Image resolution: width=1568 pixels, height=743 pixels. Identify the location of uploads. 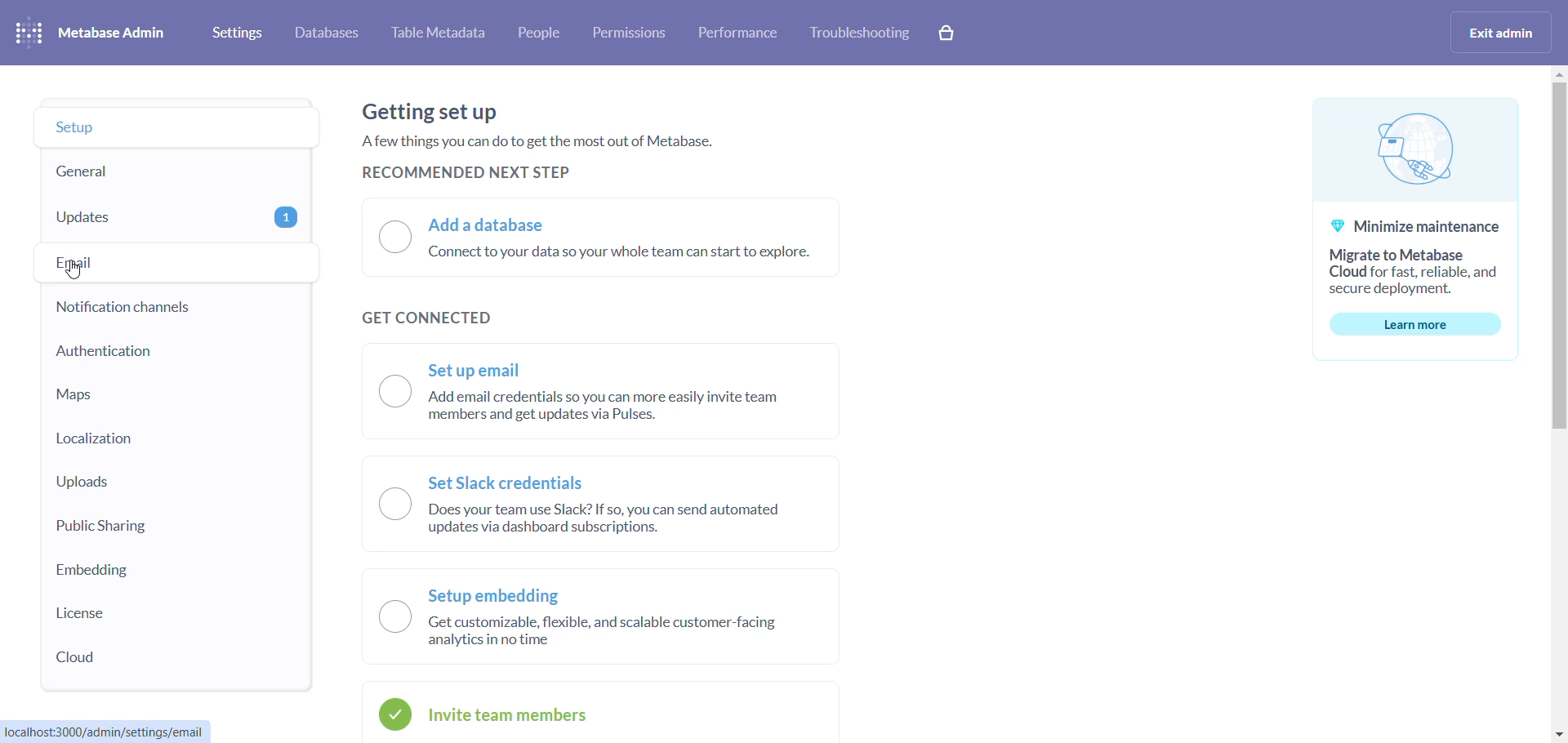
(145, 482).